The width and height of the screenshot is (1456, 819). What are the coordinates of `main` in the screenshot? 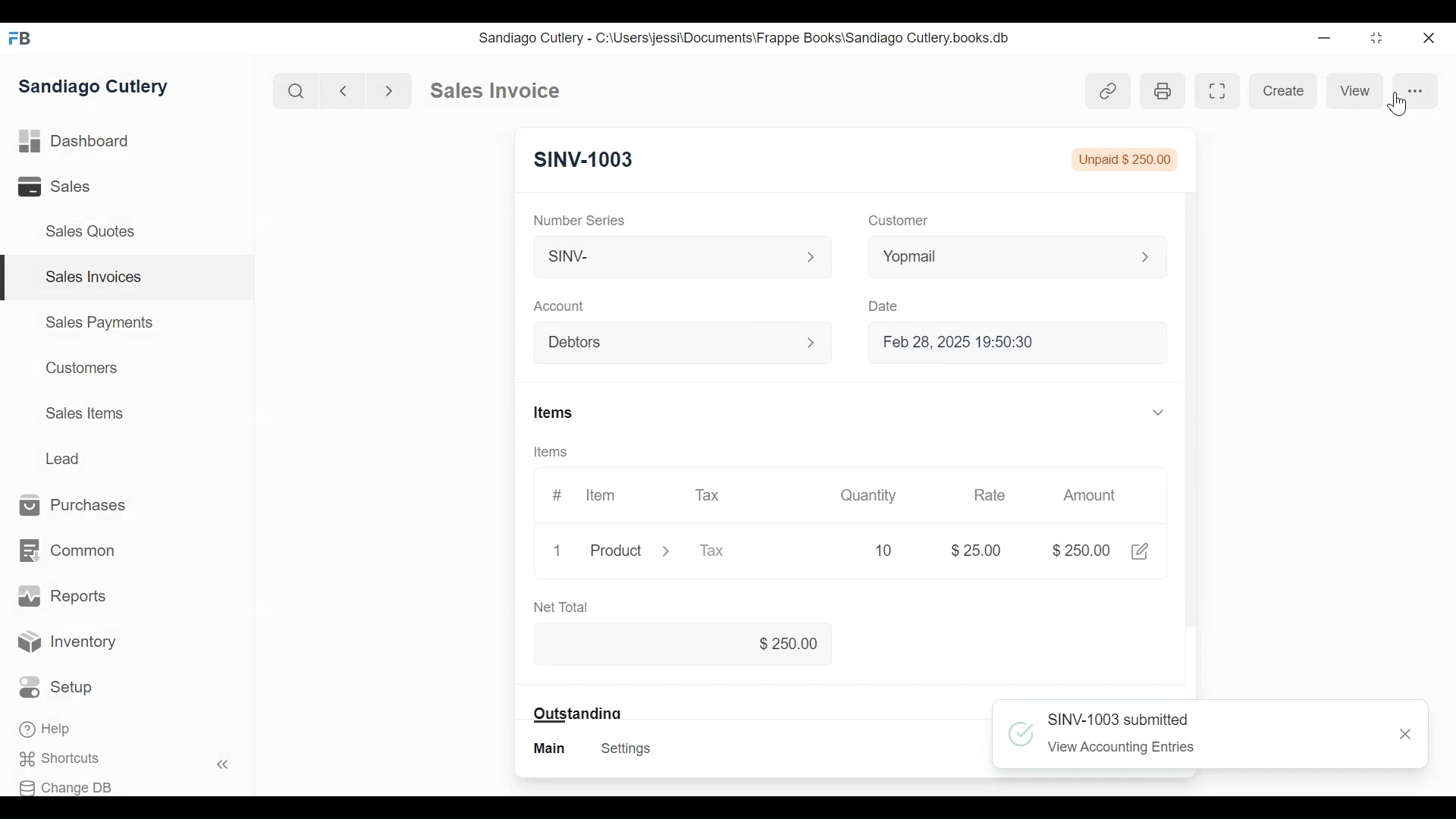 It's located at (551, 748).